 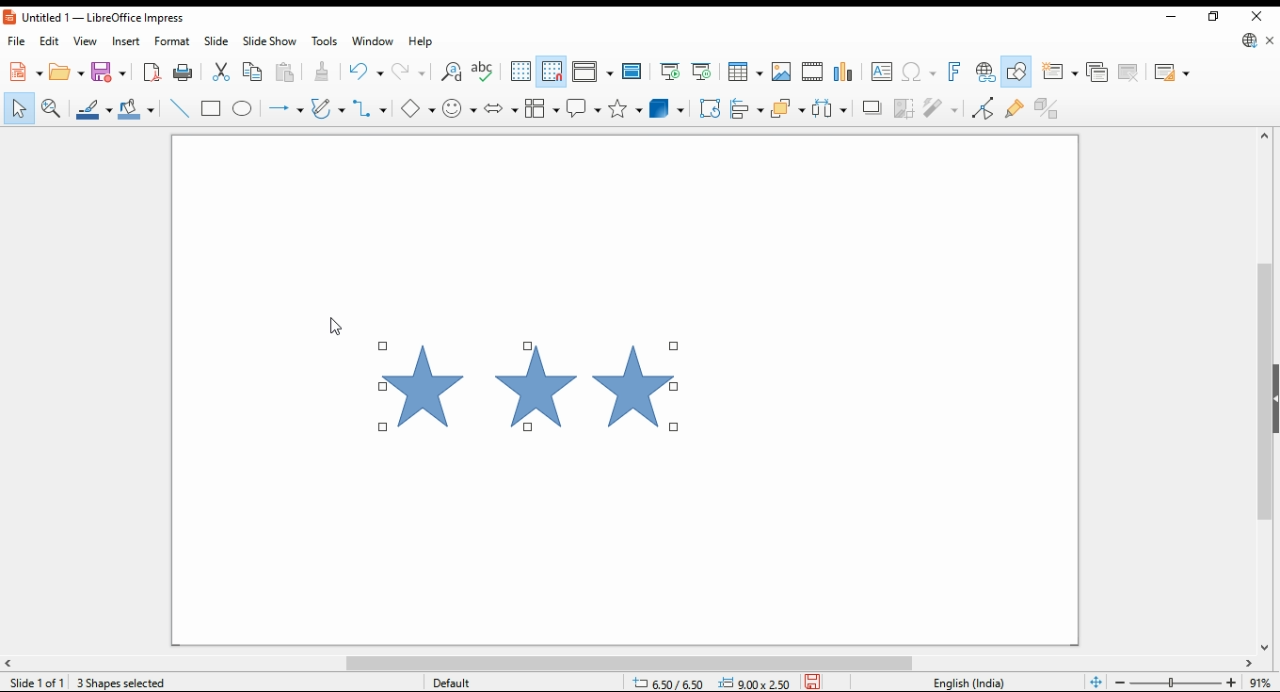 I want to click on insert line, so click(x=179, y=109).